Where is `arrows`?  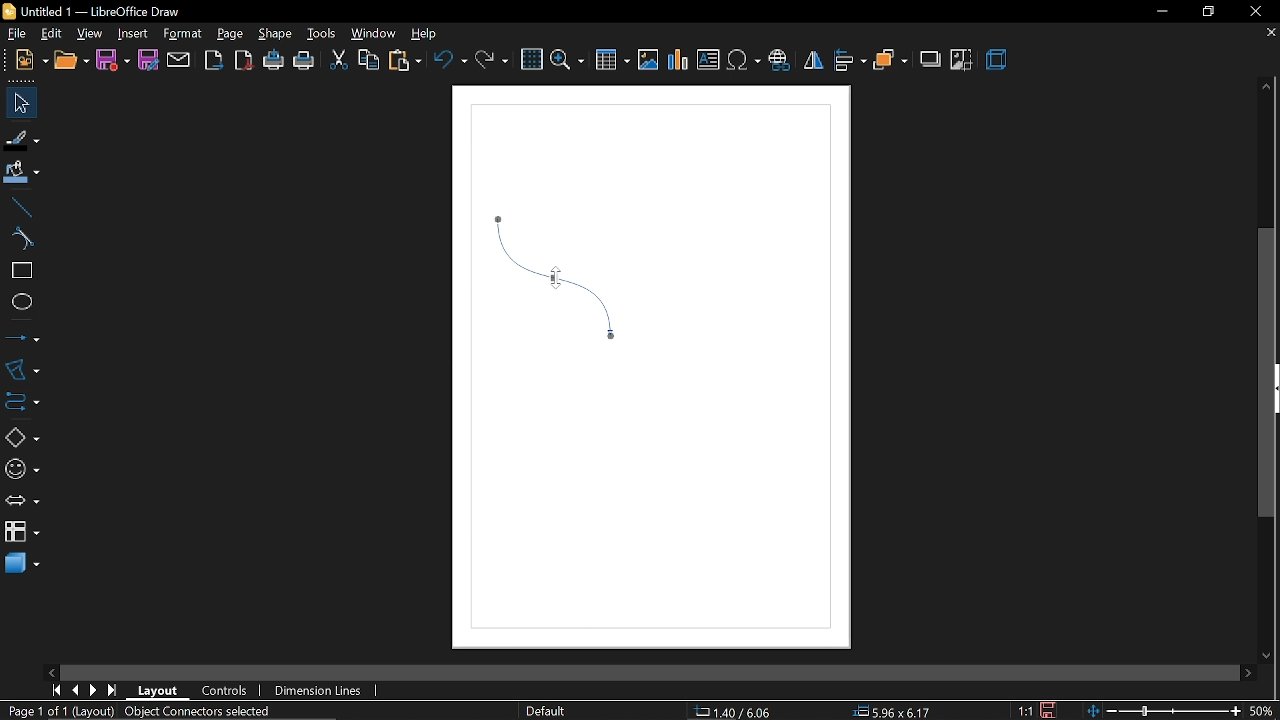 arrows is located at coordinates (19, 499).